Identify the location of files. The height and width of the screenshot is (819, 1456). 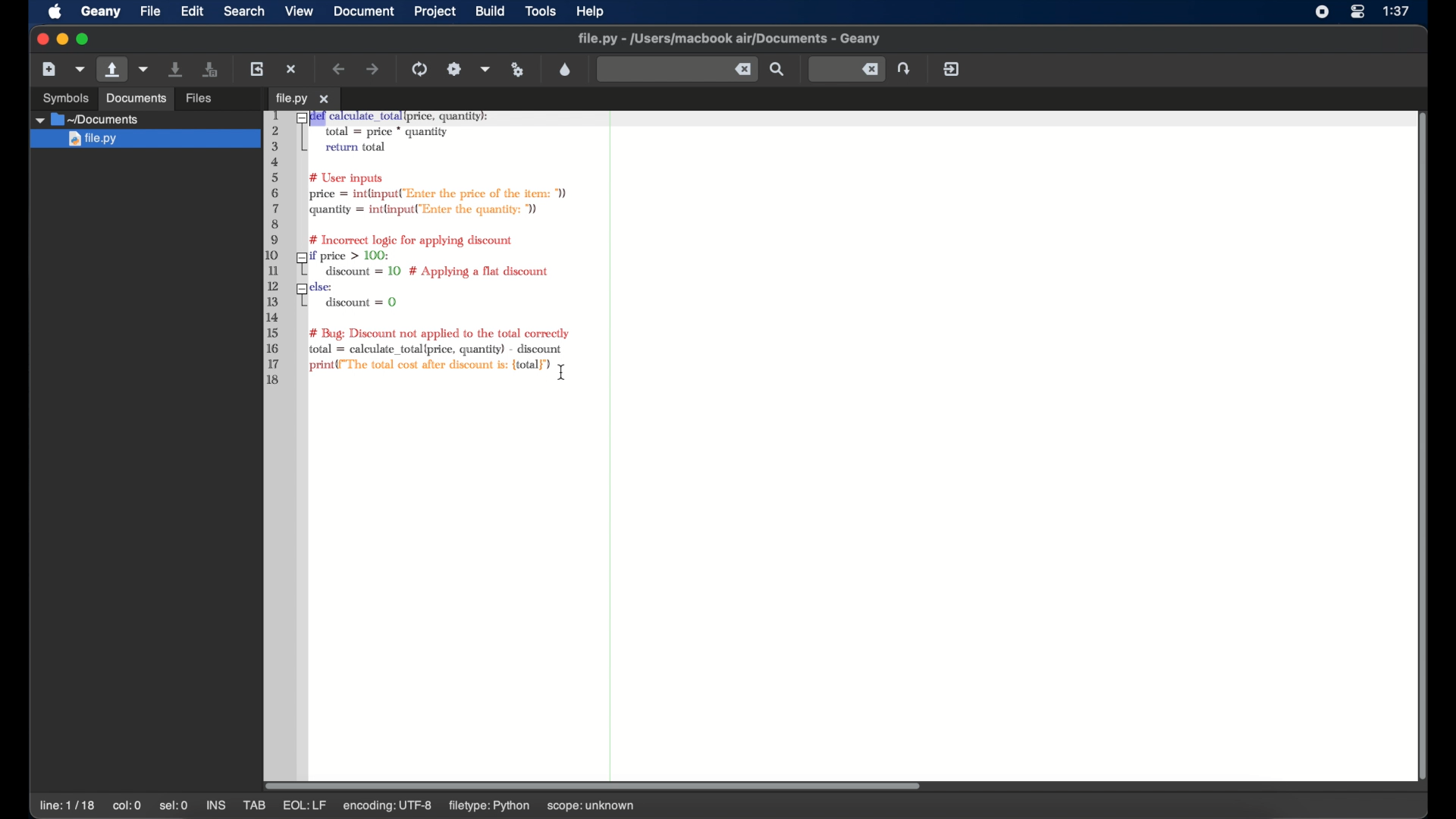
(201, 96).